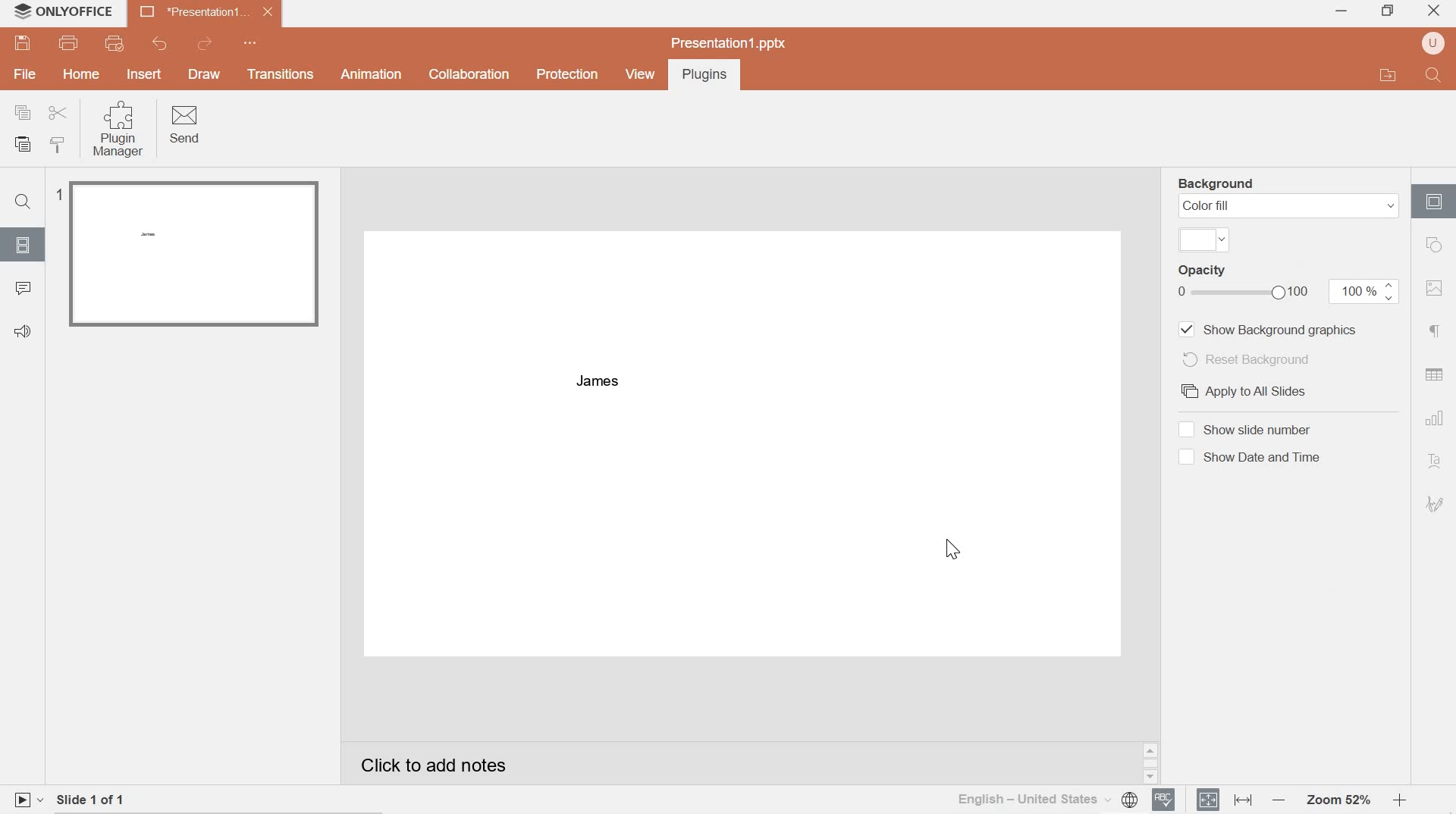 This screenshot has height=814, width=1456. Describe the element at coordinates (26, 203) in the screenshot. I see `Find` at that location.